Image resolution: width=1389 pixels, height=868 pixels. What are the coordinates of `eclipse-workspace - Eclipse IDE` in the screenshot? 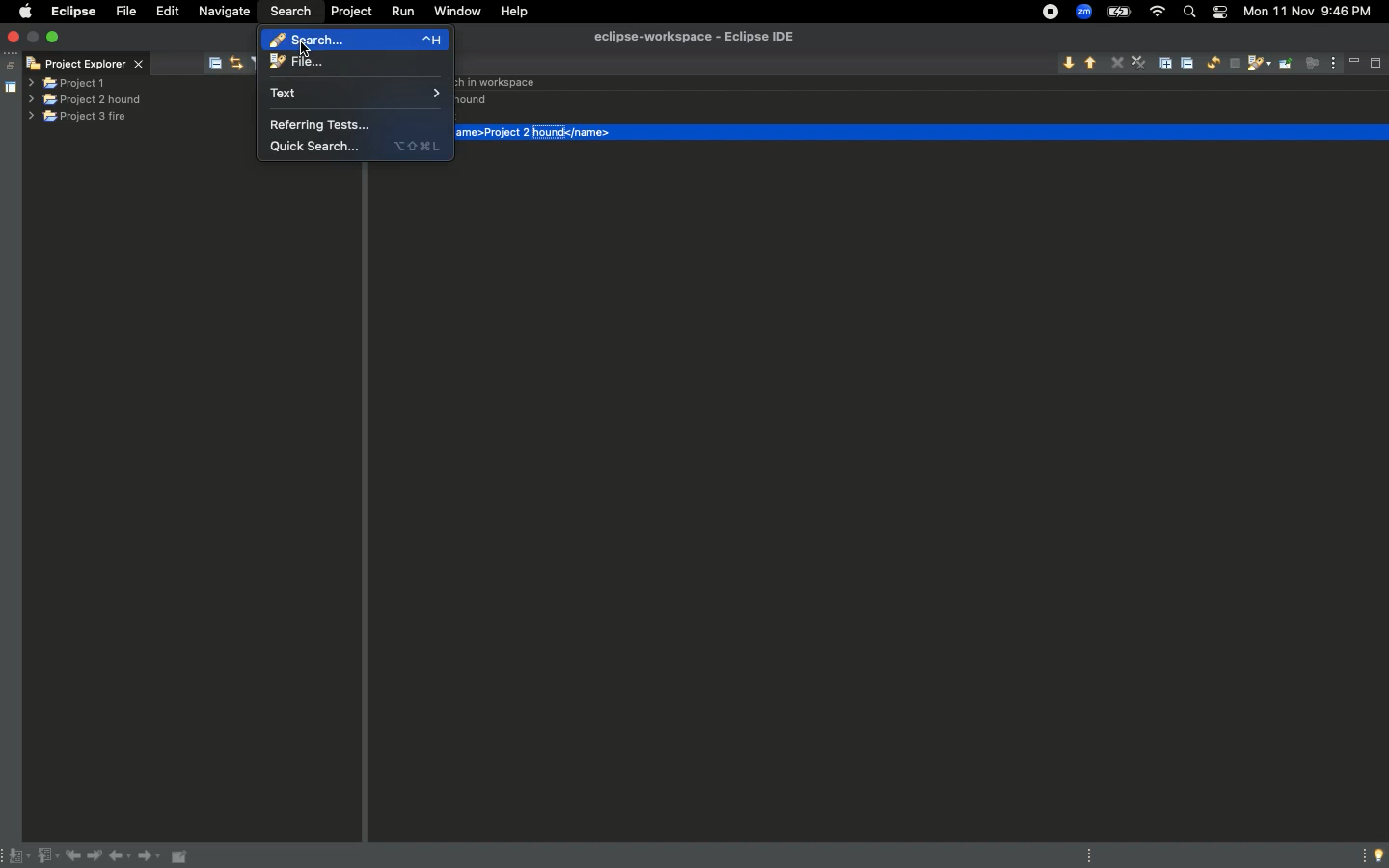 It's located at (694, 36).